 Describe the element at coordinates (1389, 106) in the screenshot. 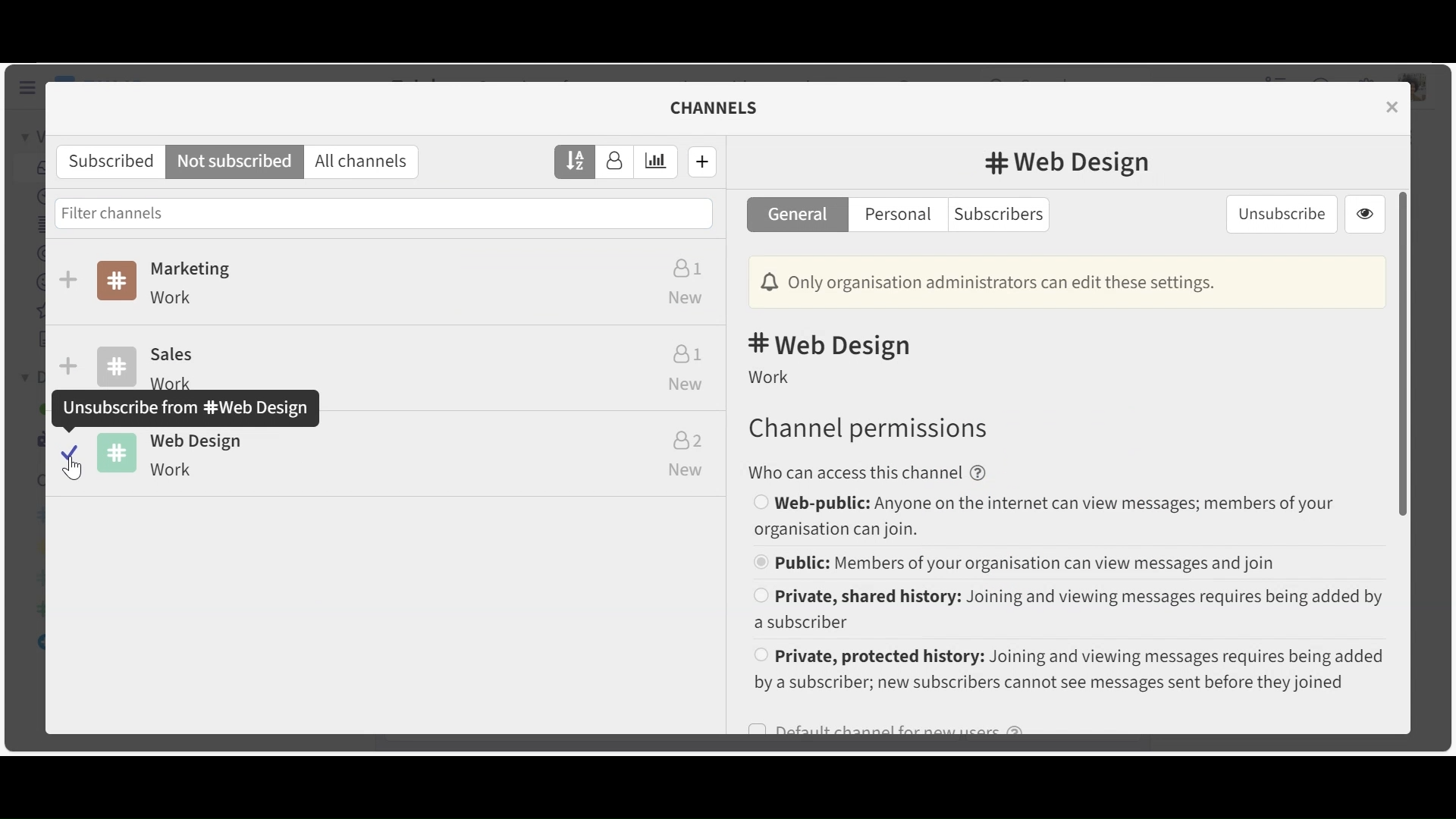

I see `Close` at that location.